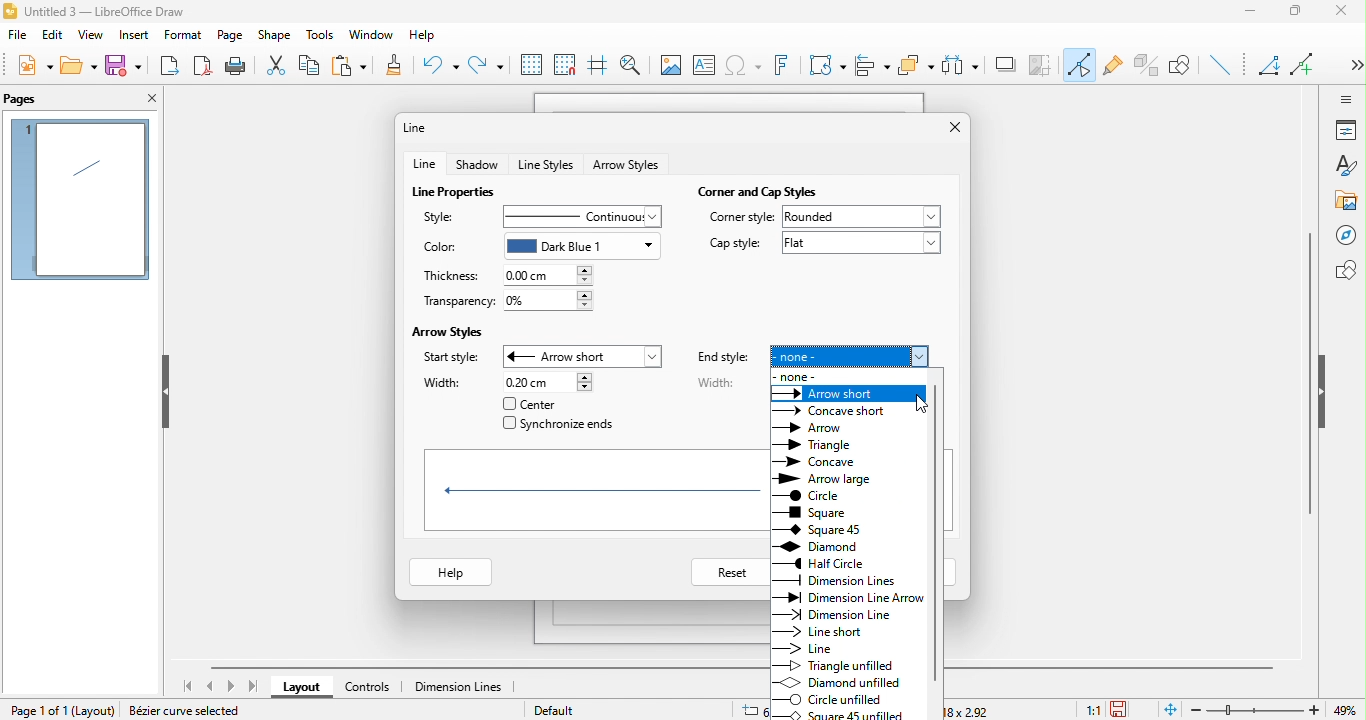 This screenshot has width=1366, height=720. What do you see at coordinates (401, 67) in the screenshot?
I see `clone formatting` at bounding box center [401, 67].